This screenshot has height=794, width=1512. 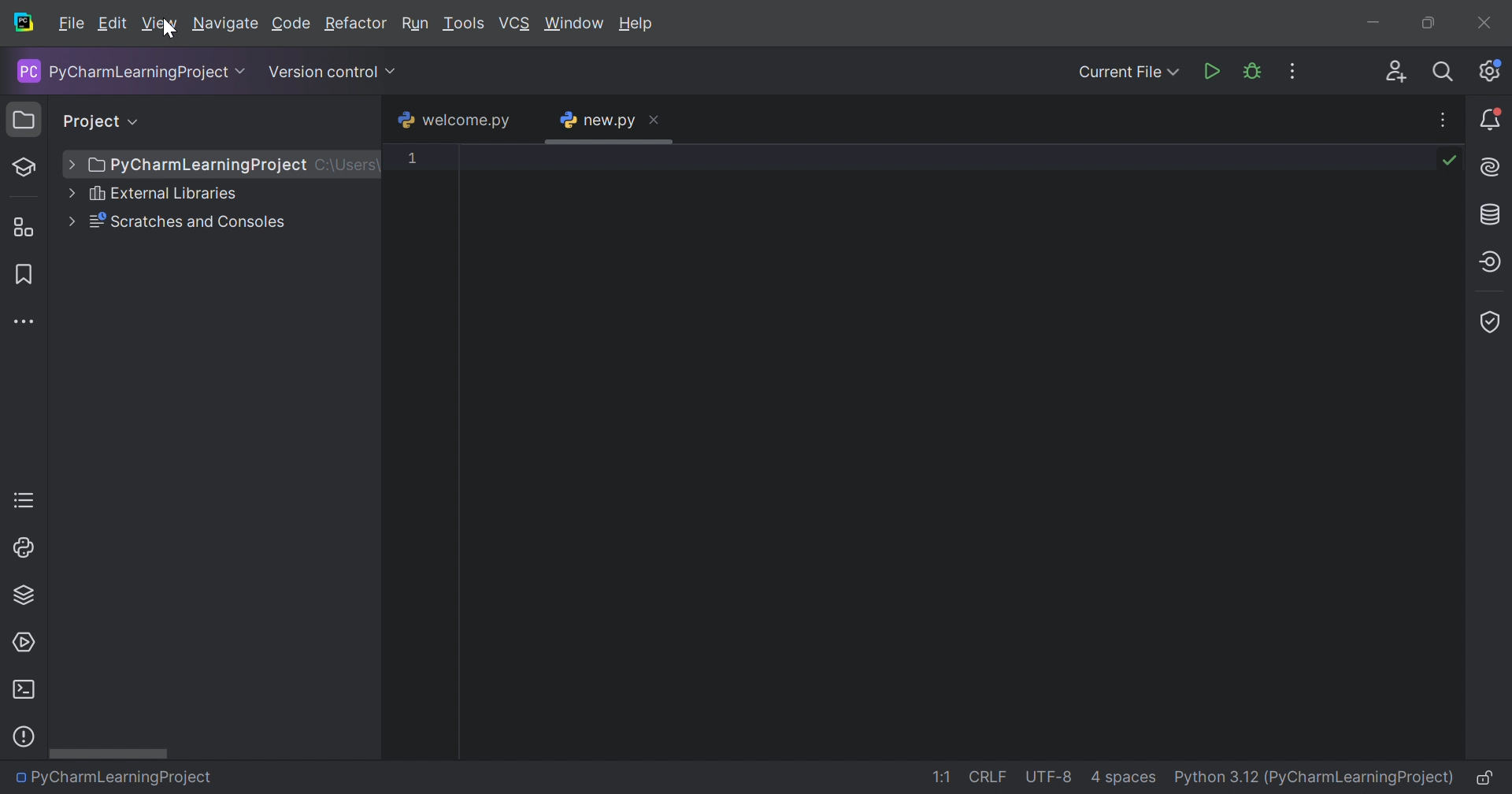 I want to click on TODO, so click(x=24, y=500).